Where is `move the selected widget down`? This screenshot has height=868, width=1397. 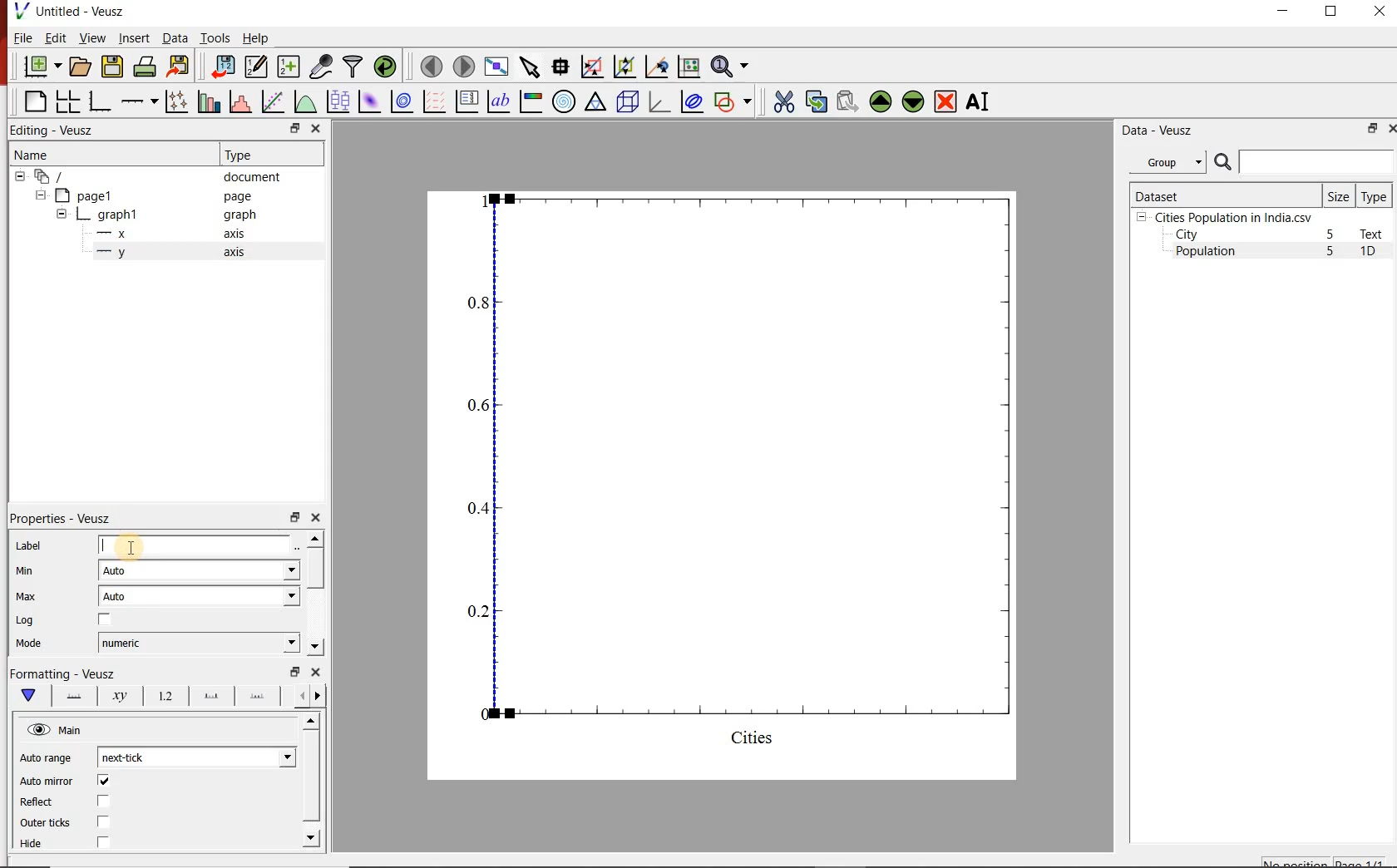 move the selected widget down is located at coordinates (913, 101).